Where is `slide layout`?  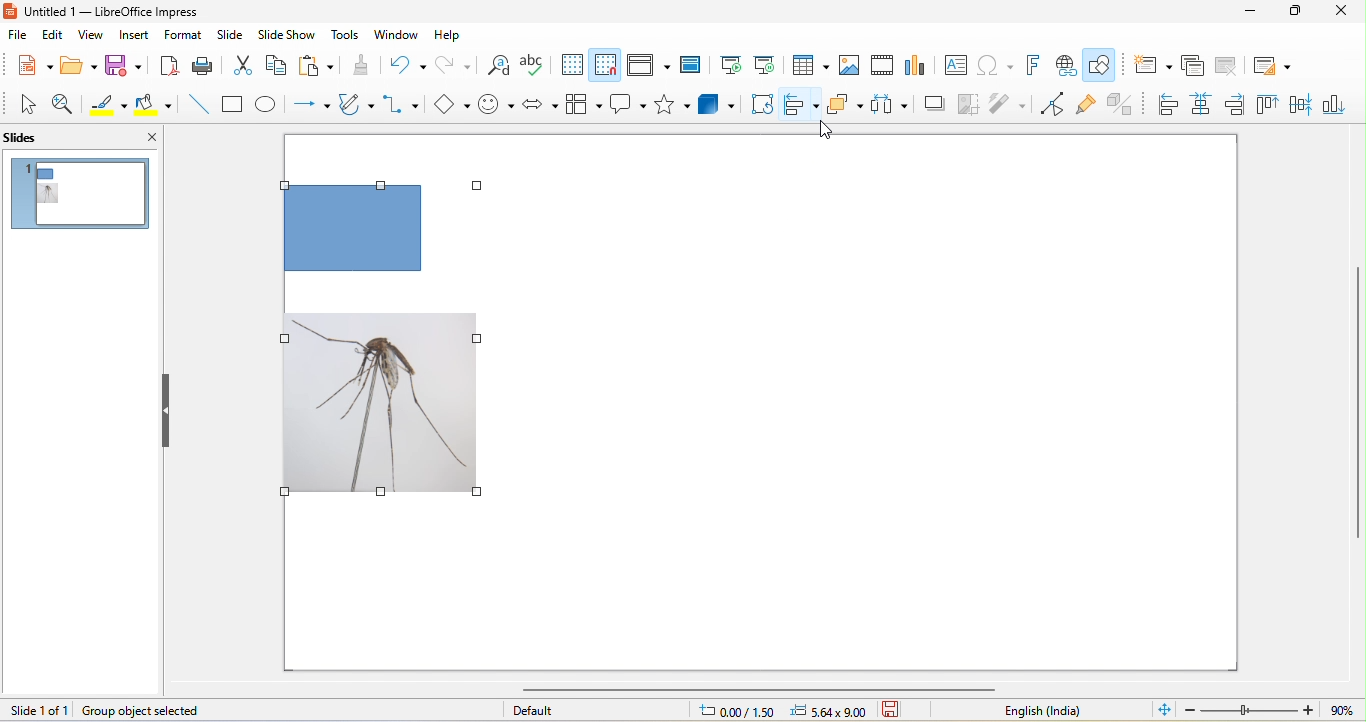 slide layout is located at coordinates (1276, 68).